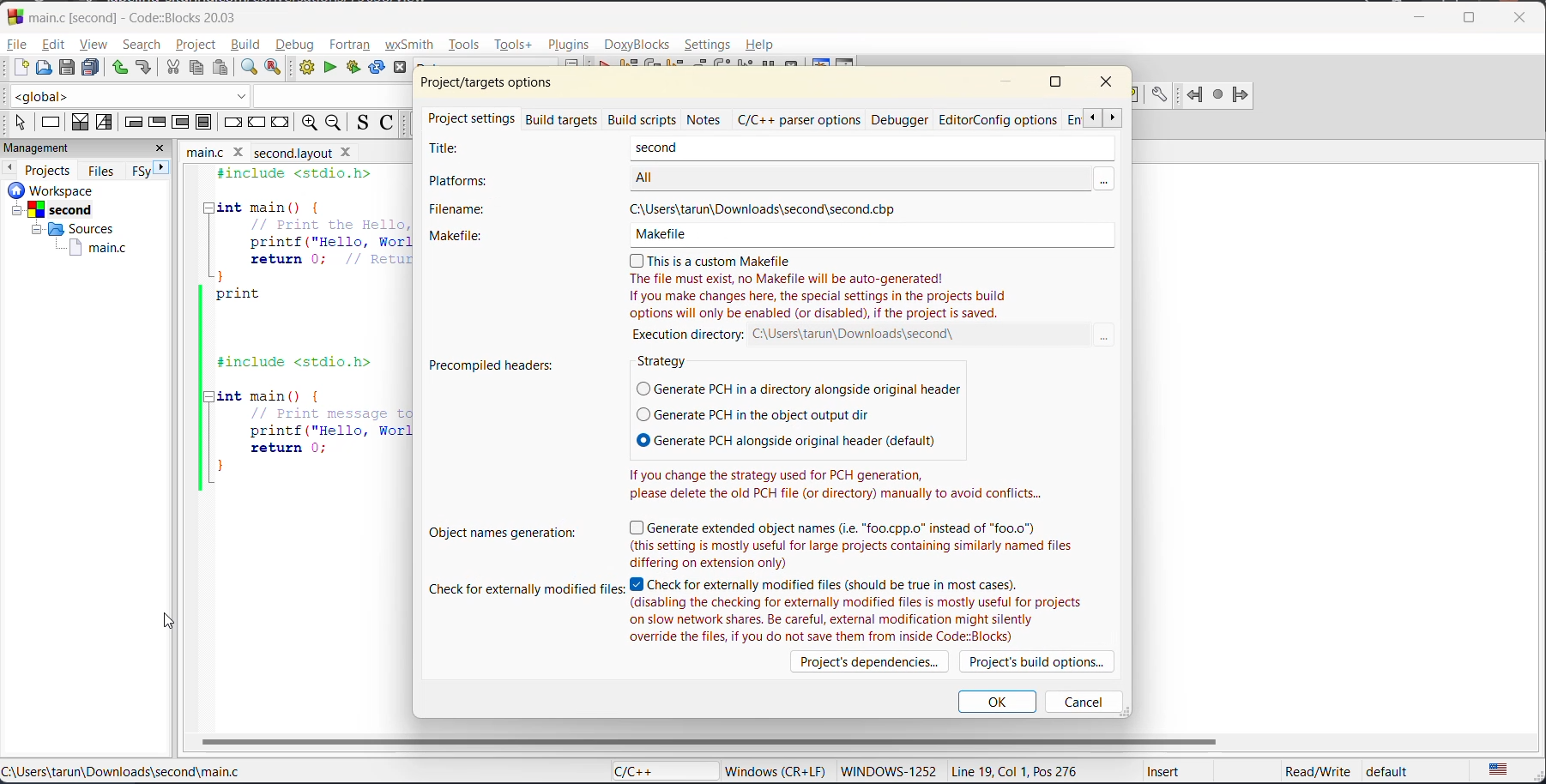 This screenshot has width=1546, height=784. I want to click on help, so click(765, 46).